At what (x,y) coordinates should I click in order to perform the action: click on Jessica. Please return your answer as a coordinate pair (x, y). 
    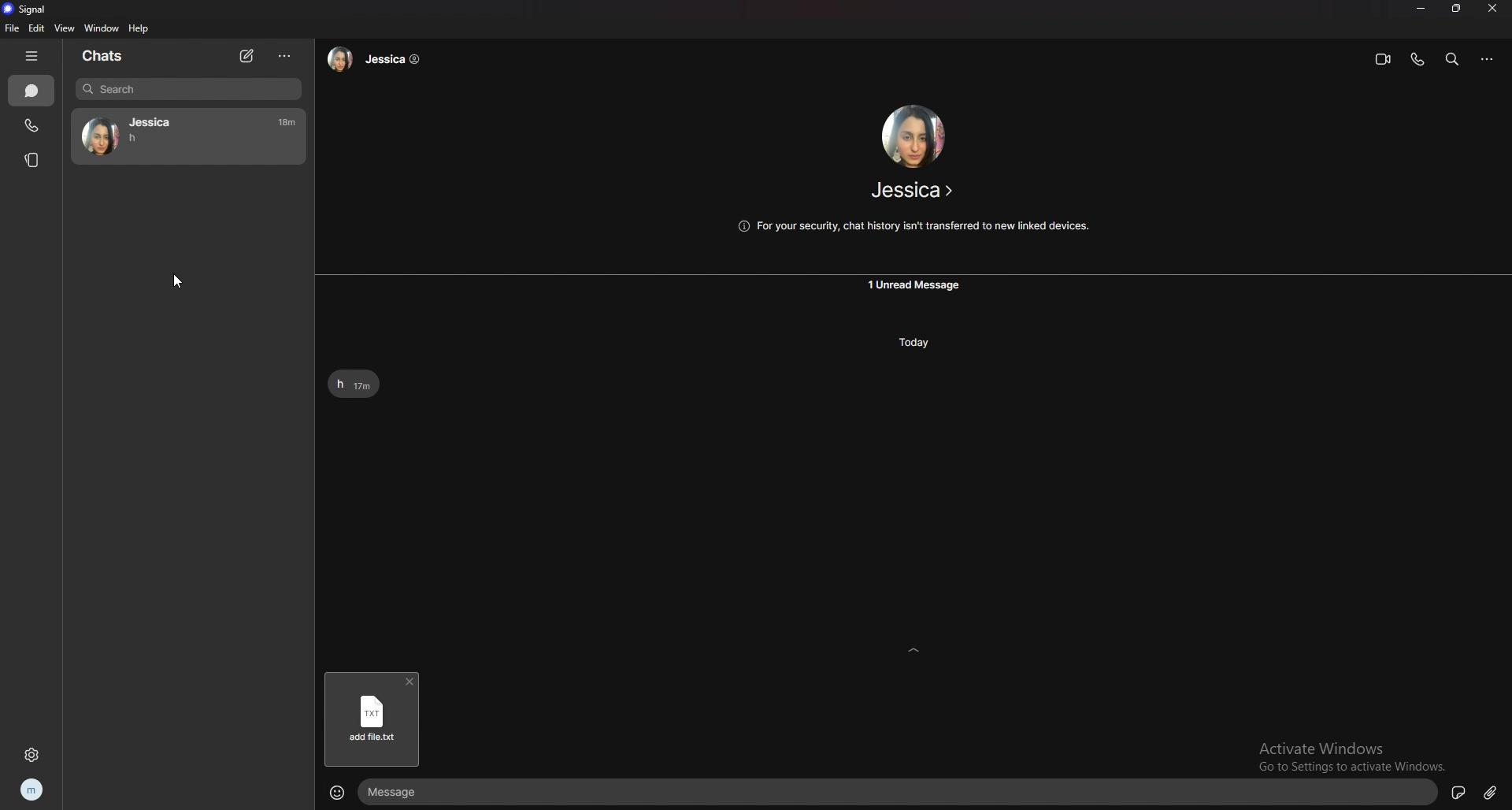
    Looking at the image, I should click on (149, 120).